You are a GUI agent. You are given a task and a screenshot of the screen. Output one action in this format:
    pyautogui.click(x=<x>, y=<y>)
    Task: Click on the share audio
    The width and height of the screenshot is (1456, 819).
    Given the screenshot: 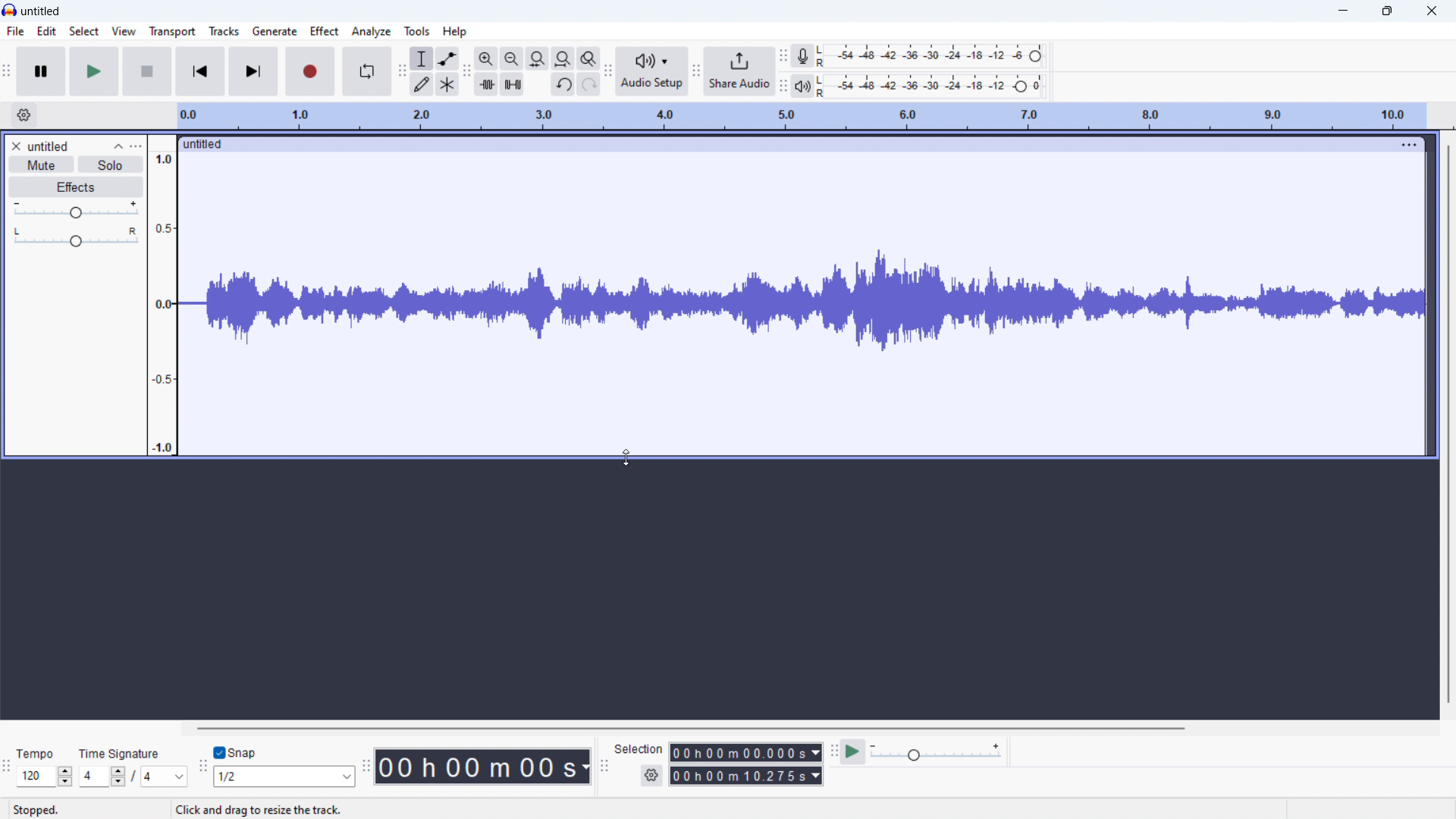 What is the action you would take?
    pyautogui.click(x=739, y=71)
    